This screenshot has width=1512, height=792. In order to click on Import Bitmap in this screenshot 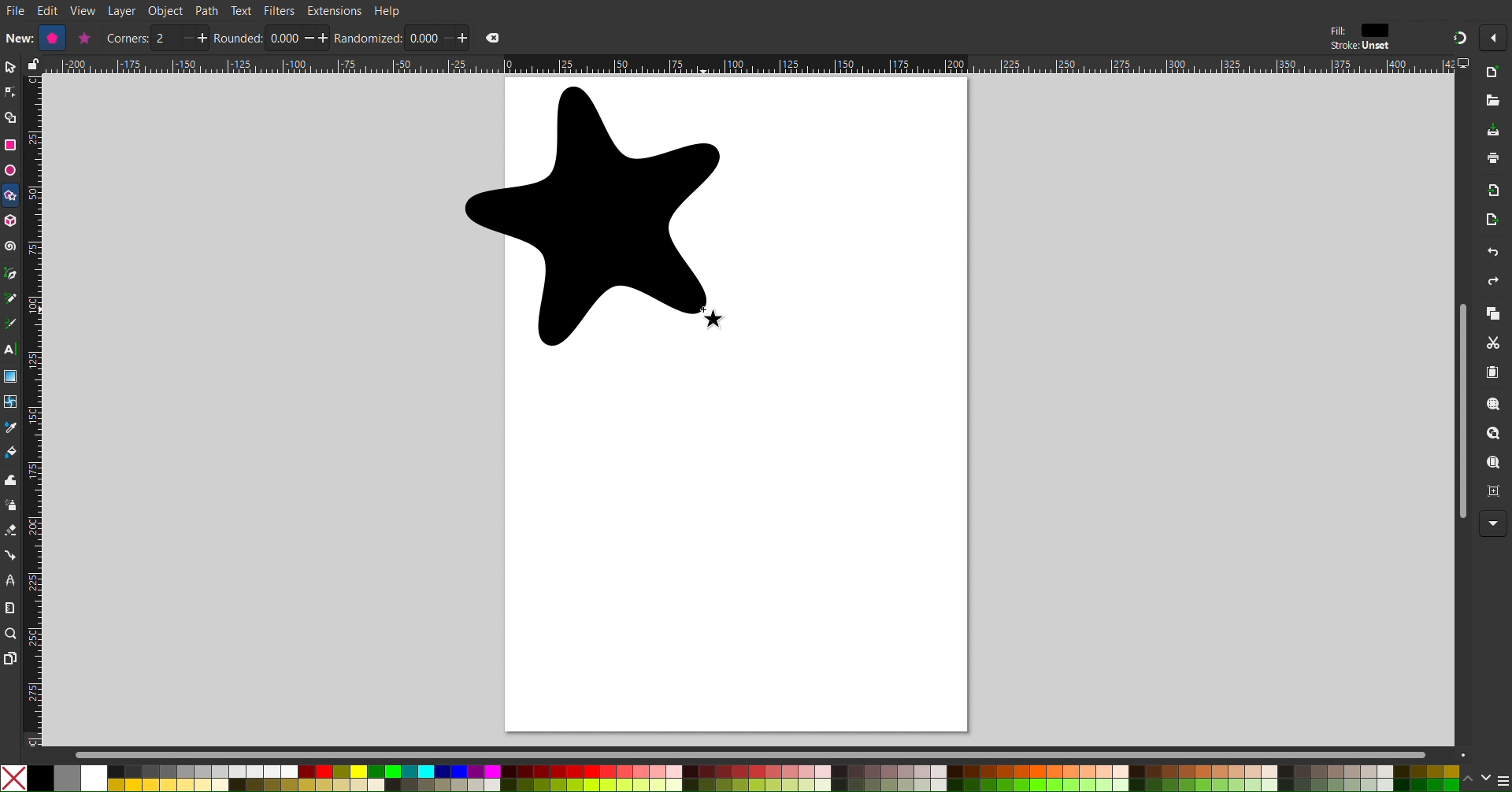, I will do `click(1494, 194)`.